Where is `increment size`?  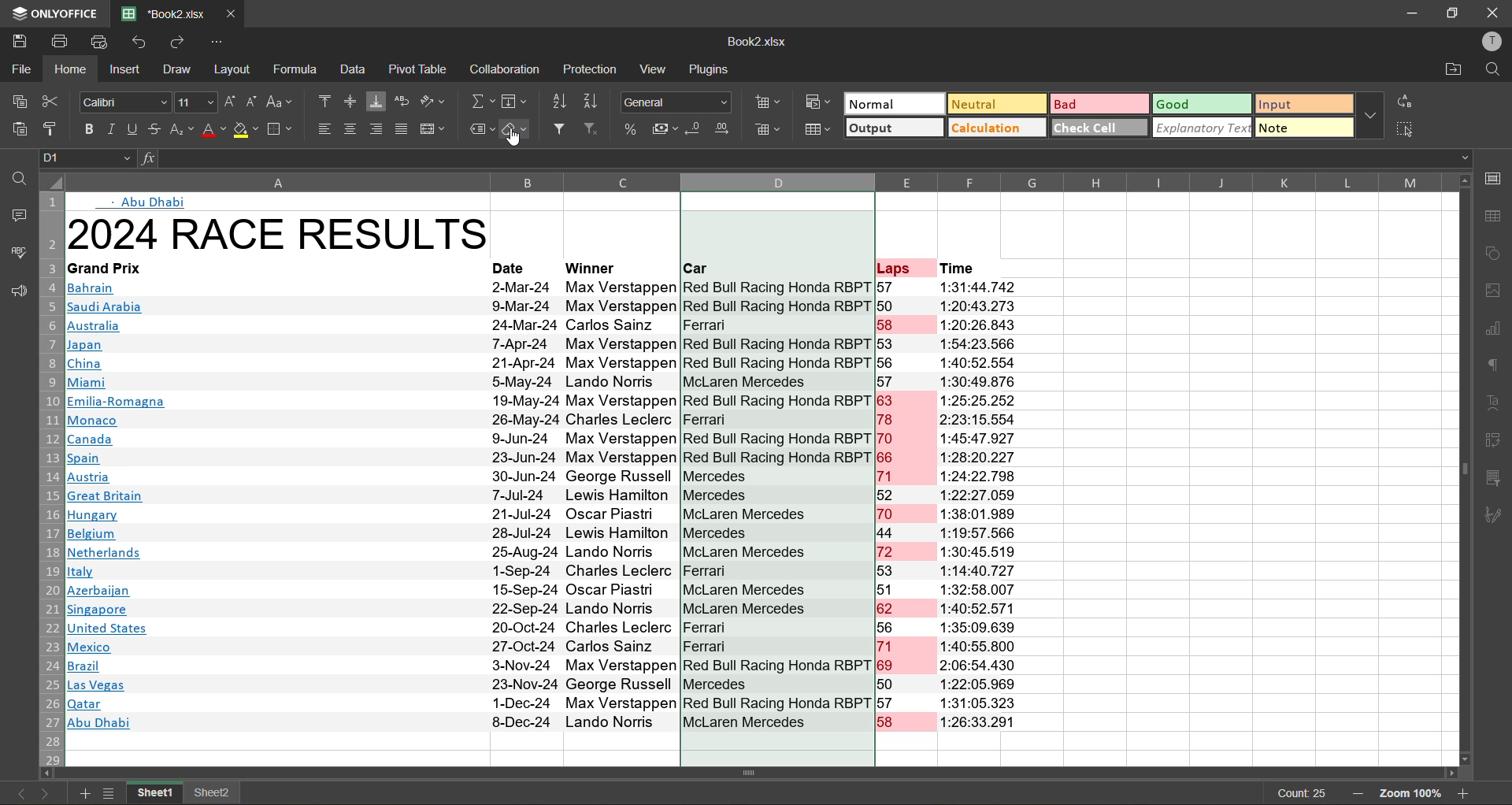 increment size is located at coordinates (230, 102).